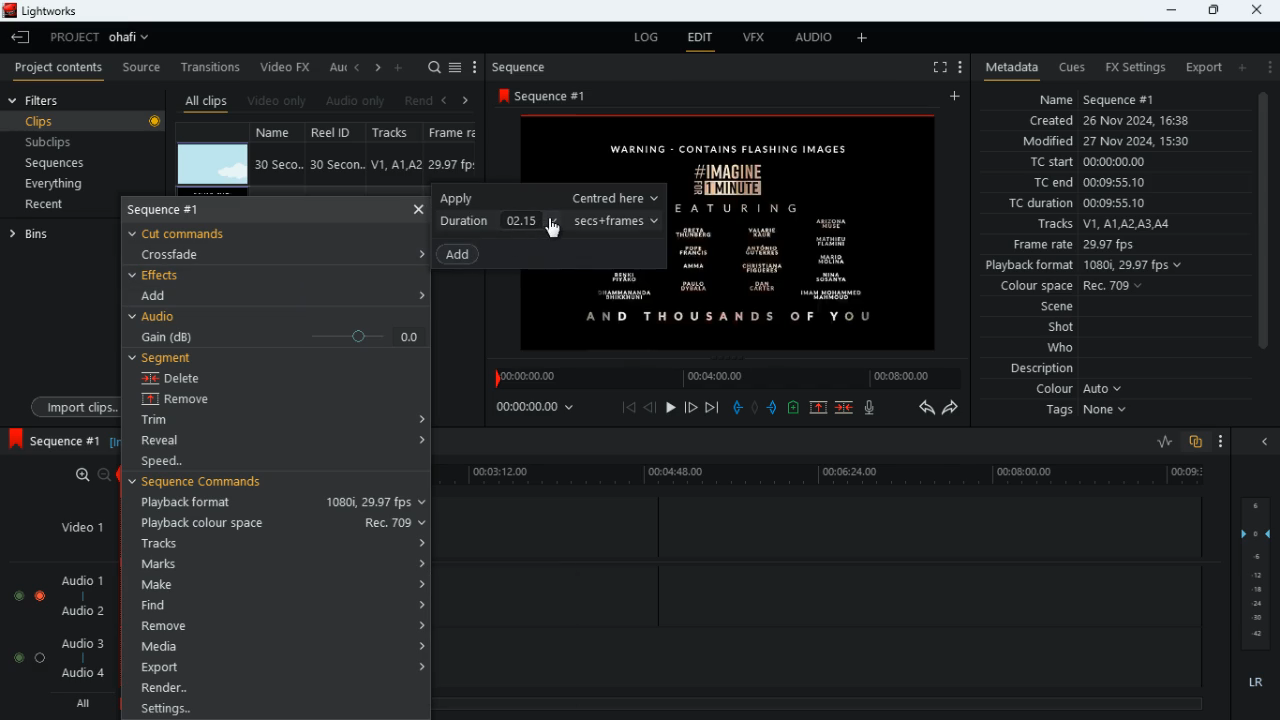 Image resolution: width=1280 pixels, height=720 pixels. What do you see at coordinates (1134, 66) in the screenshot?
I see `fx settings` at bounding box center [1134, 66].